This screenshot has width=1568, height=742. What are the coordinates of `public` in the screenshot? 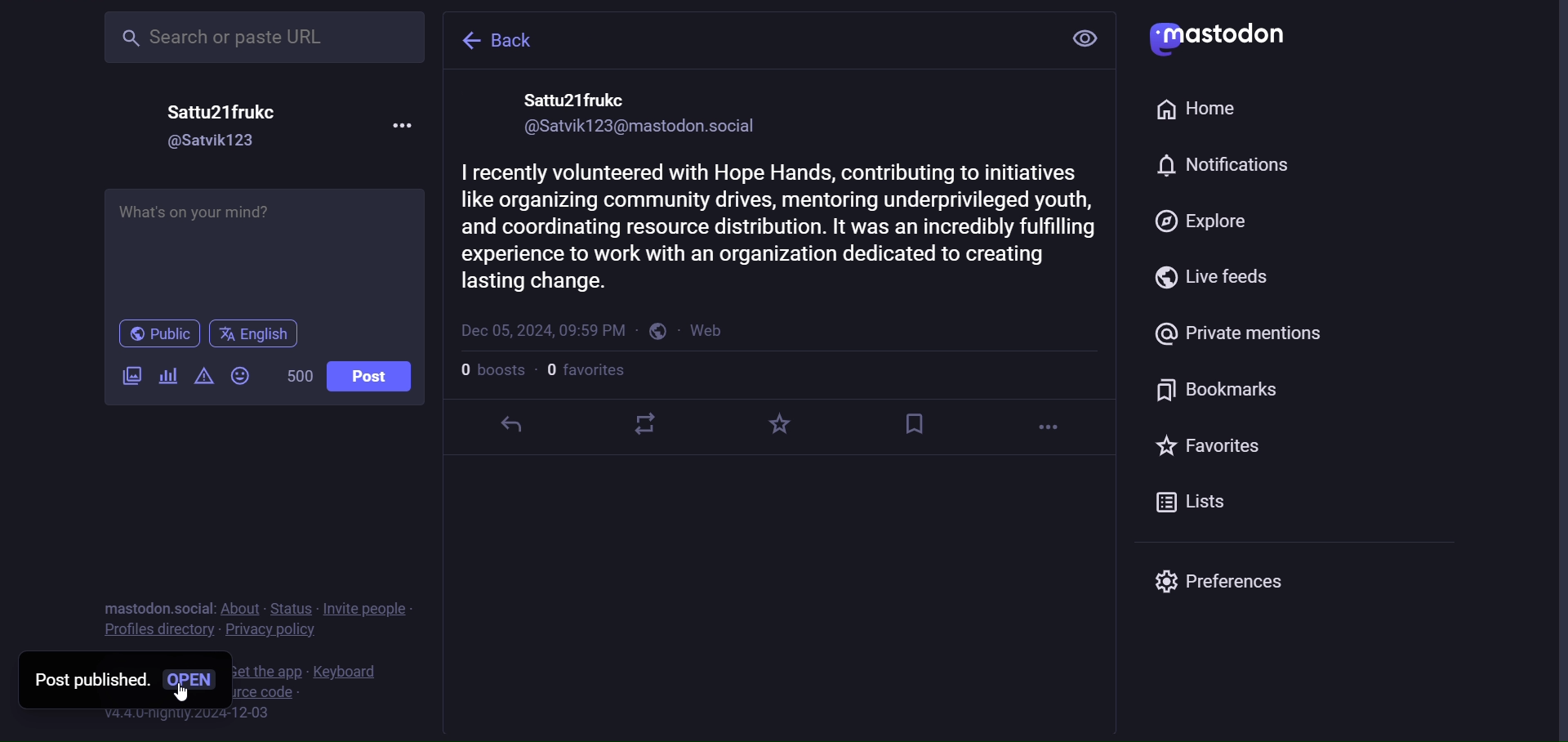 It's located at (657, 333).